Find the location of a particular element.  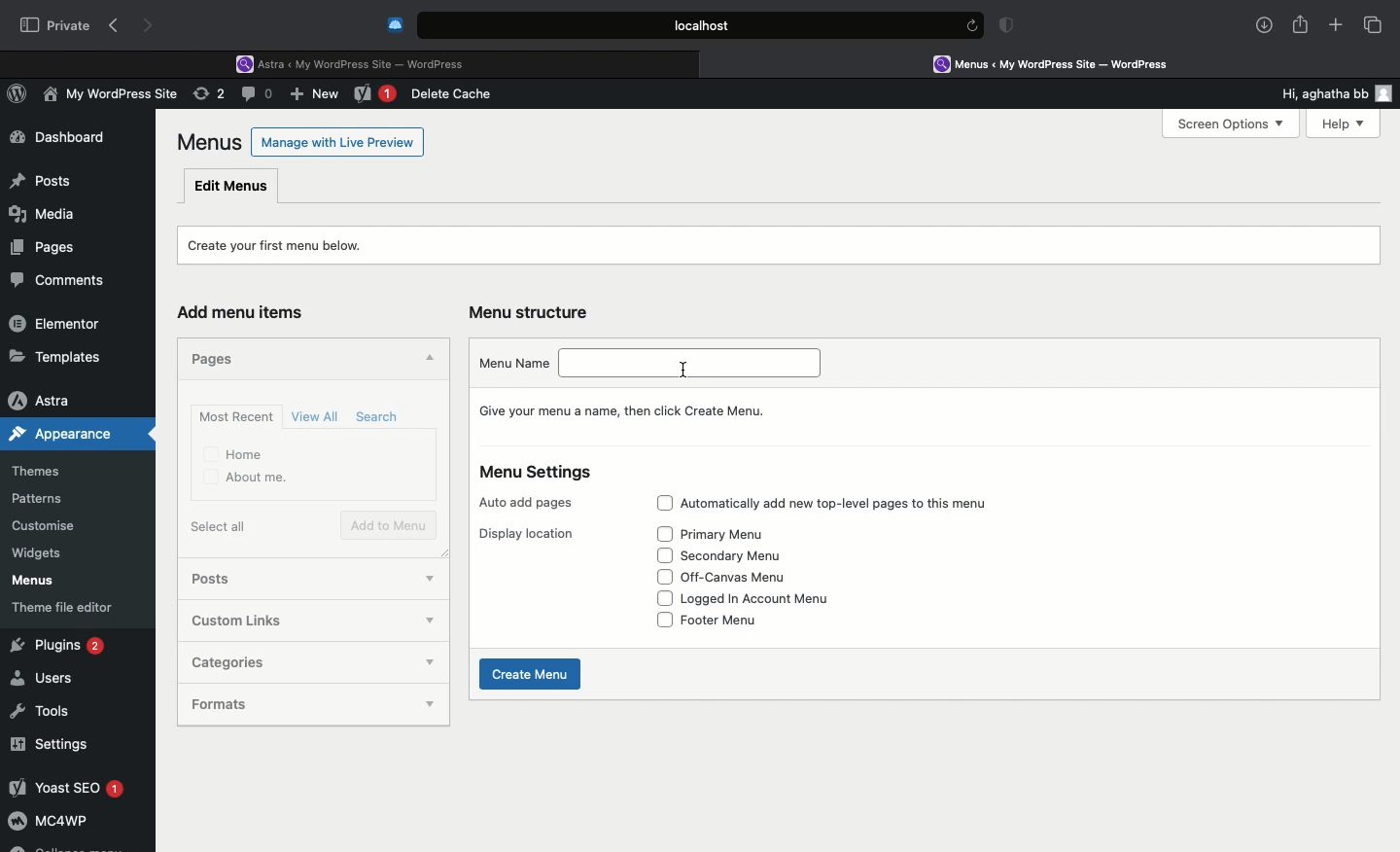

Search is located at coordinates (380, 417).